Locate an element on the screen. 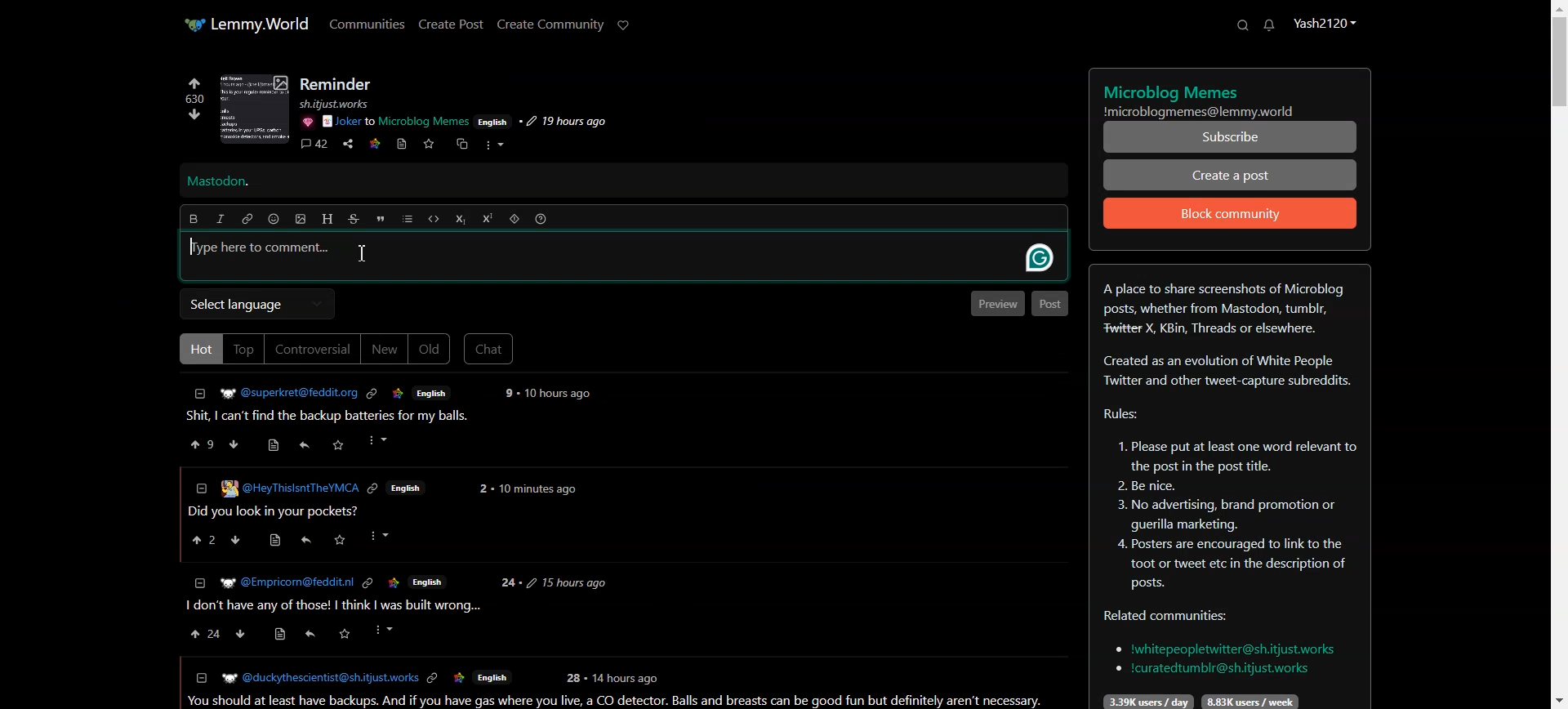 This screenshot has width=1568, height=709. Collapse is located at coordinates (200, 394).